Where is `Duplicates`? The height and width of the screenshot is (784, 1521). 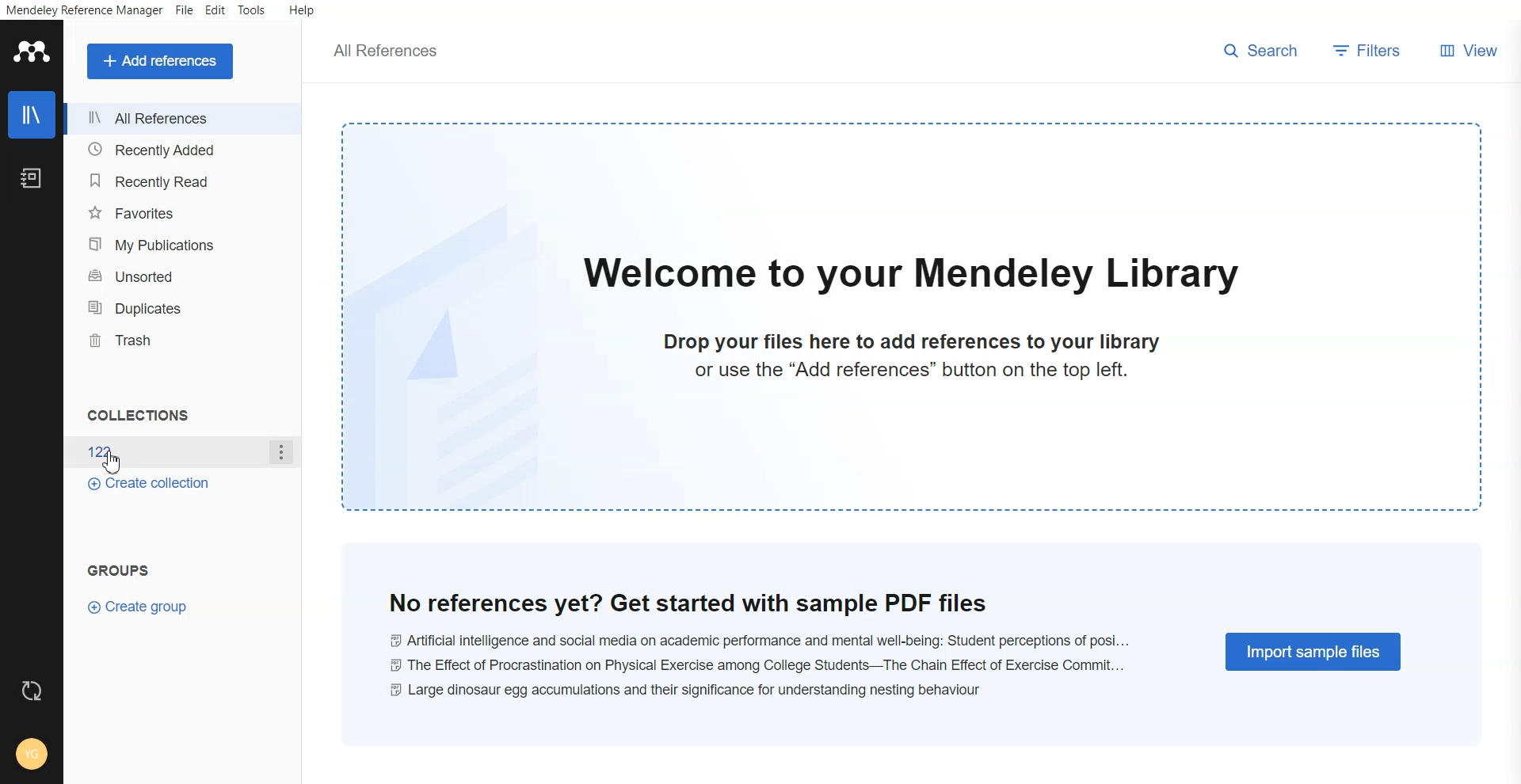 Duplicates is located at coordinates (185, 307).